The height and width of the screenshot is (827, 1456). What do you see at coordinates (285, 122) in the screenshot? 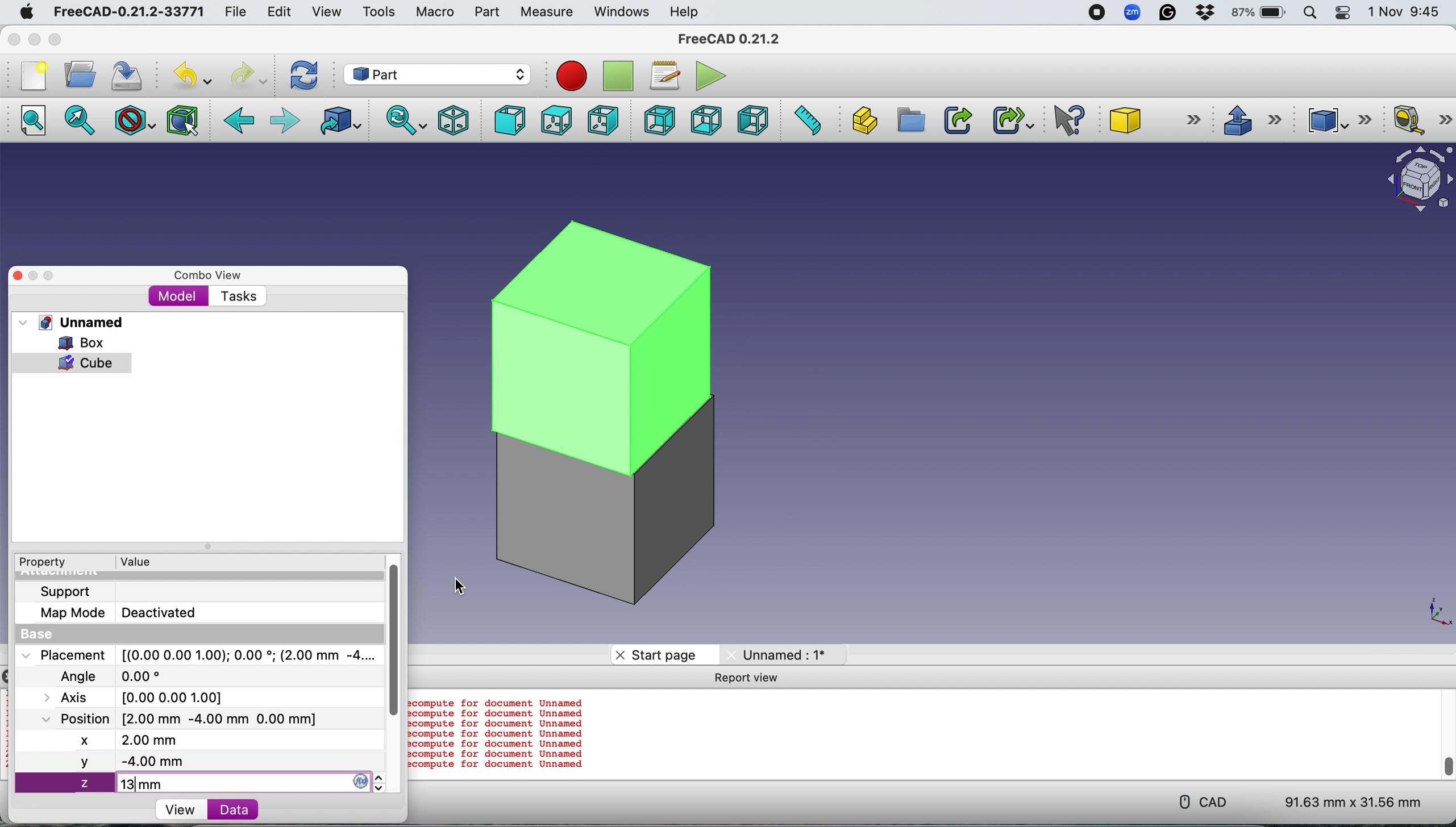
I see `Forward` at bounding box center [285, 122].